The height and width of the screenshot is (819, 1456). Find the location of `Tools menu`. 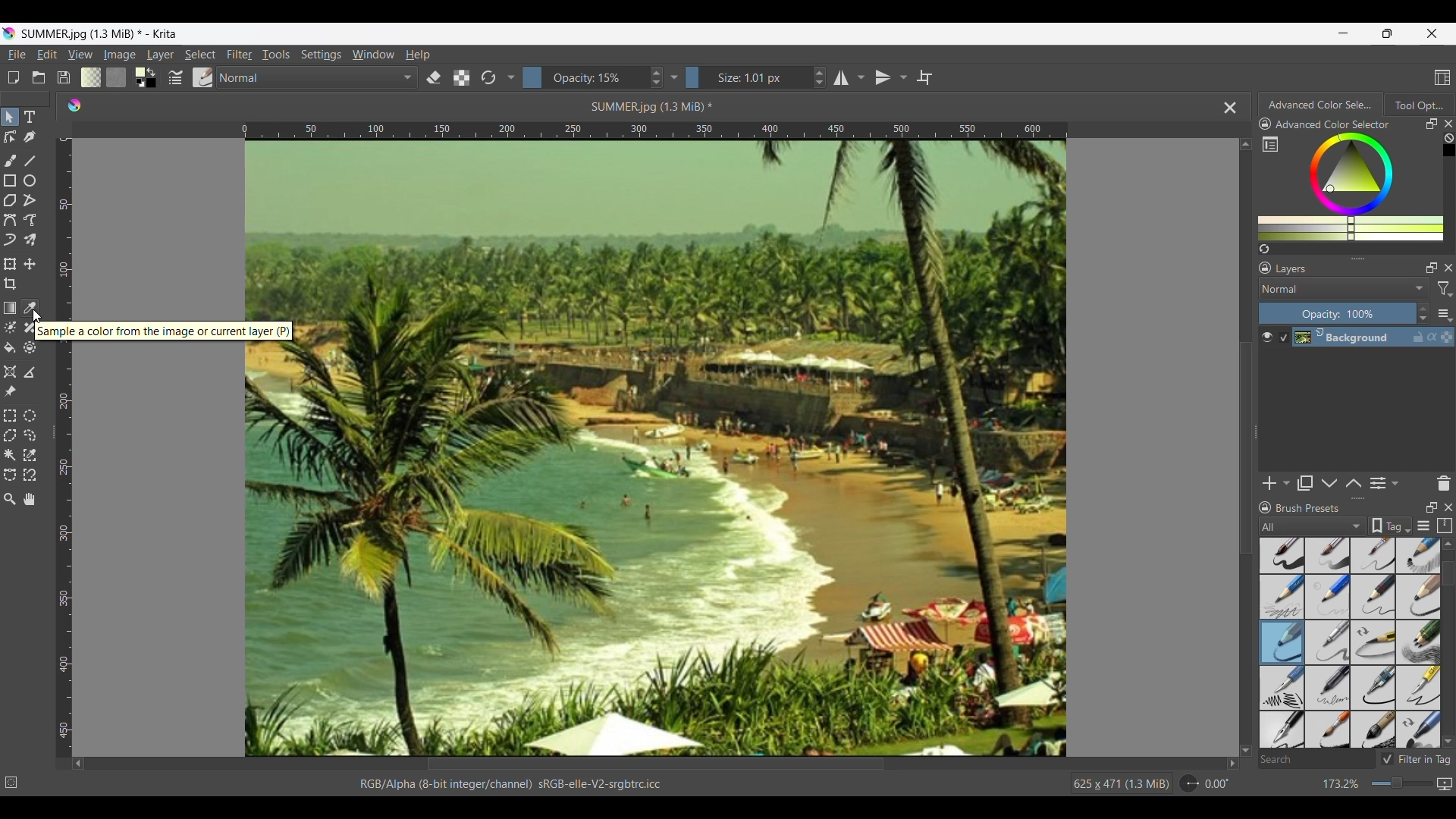

Tools menu is located at coordinates (275, 54).